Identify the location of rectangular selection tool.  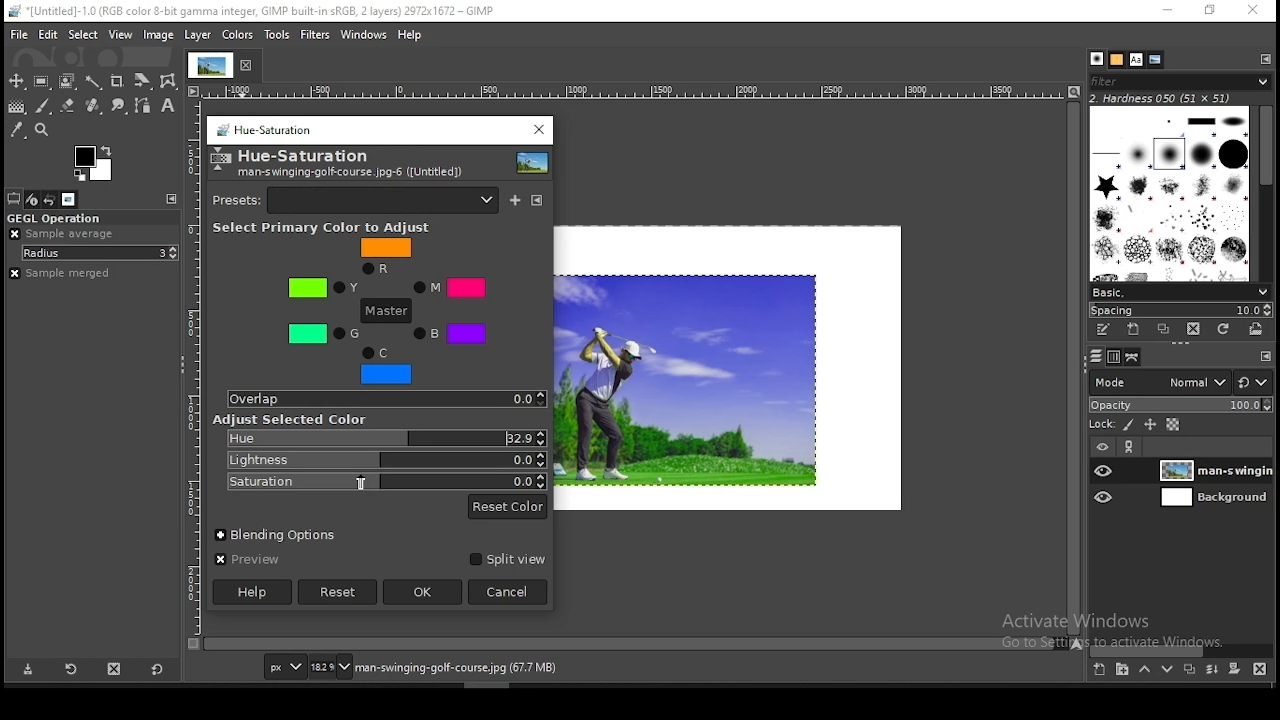
(42, 82).